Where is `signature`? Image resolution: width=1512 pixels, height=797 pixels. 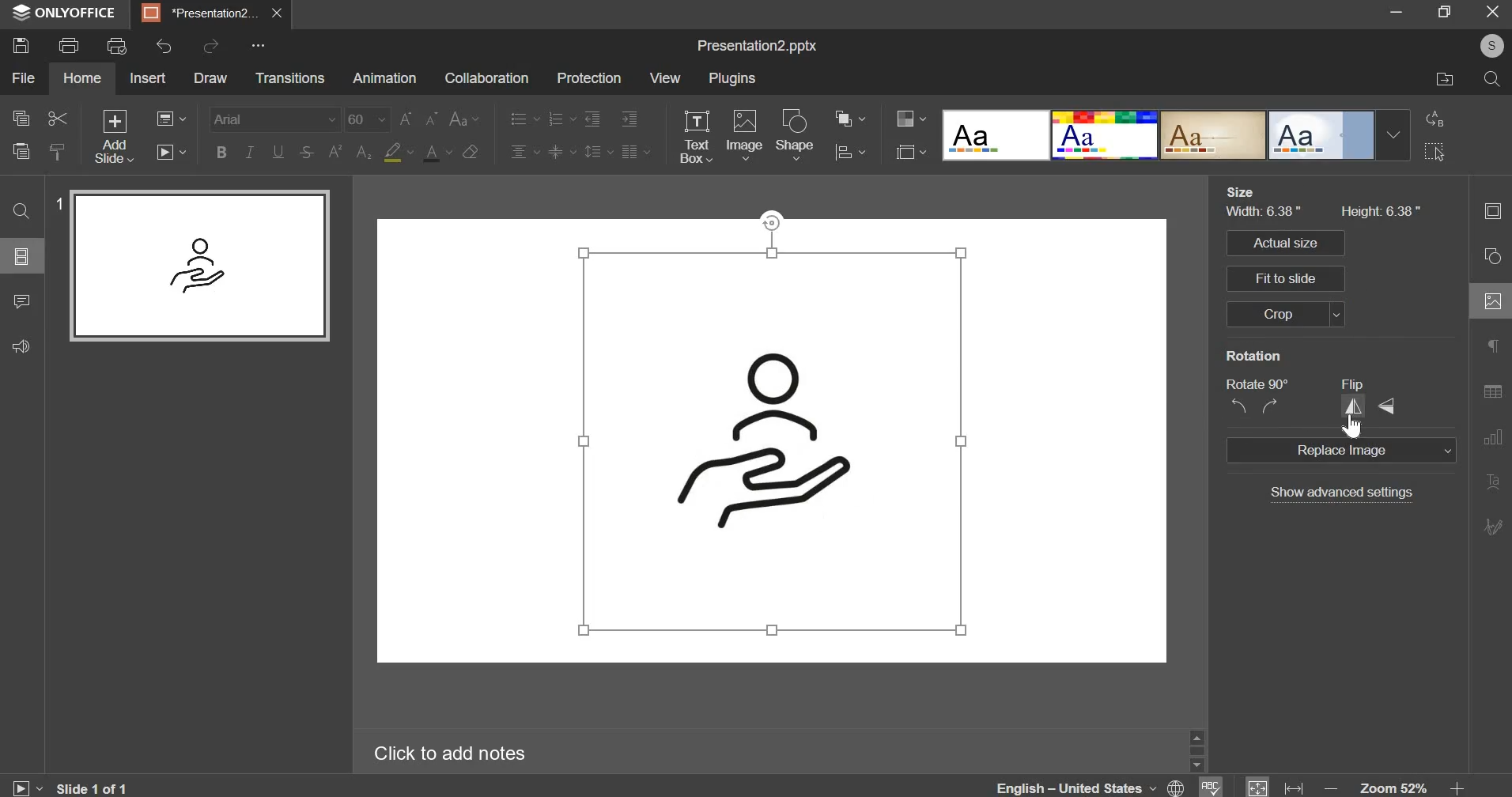
signature is located at coordinates (1491, 528).